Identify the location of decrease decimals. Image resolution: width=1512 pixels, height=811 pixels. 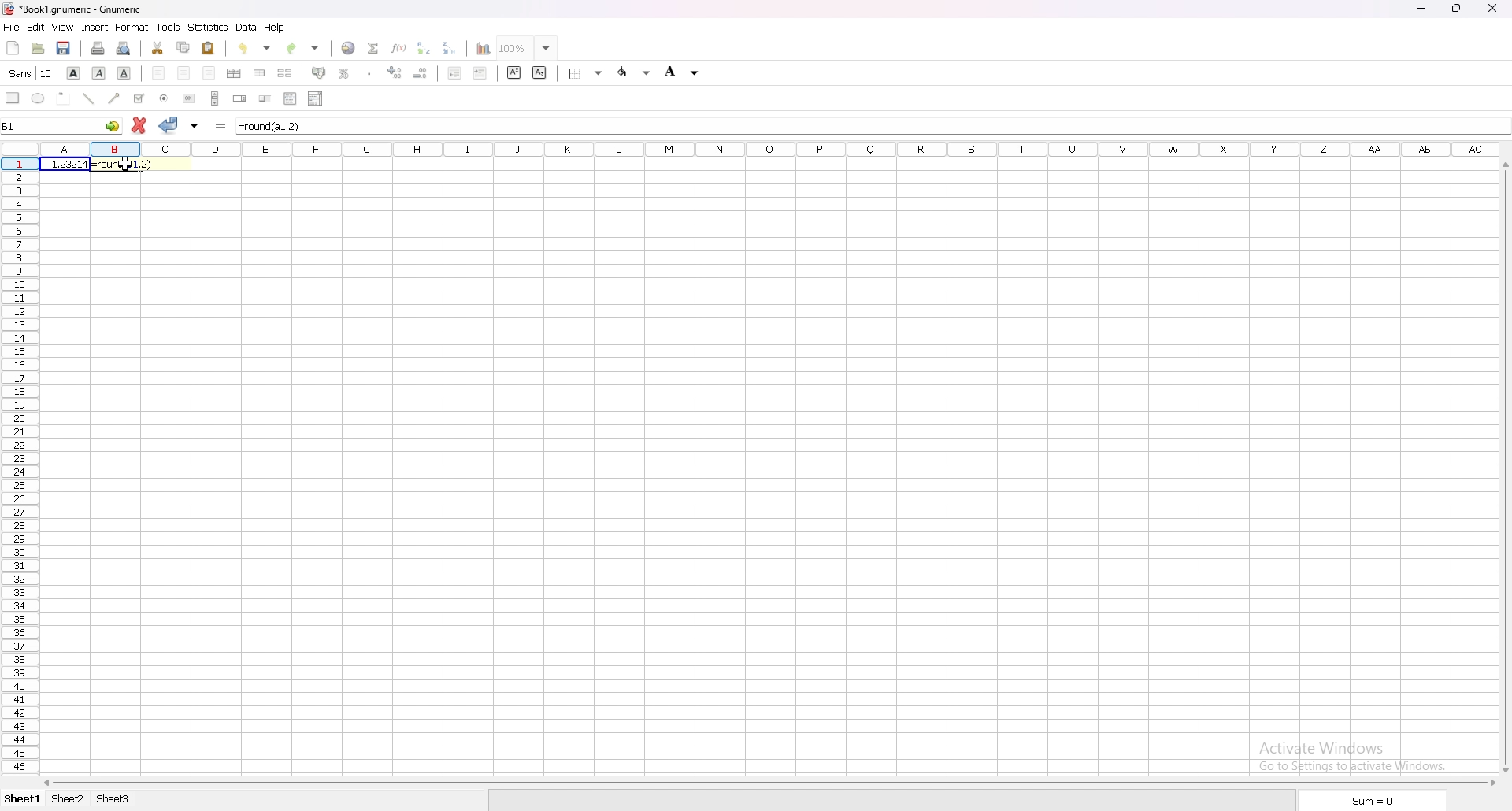
(421, 72).